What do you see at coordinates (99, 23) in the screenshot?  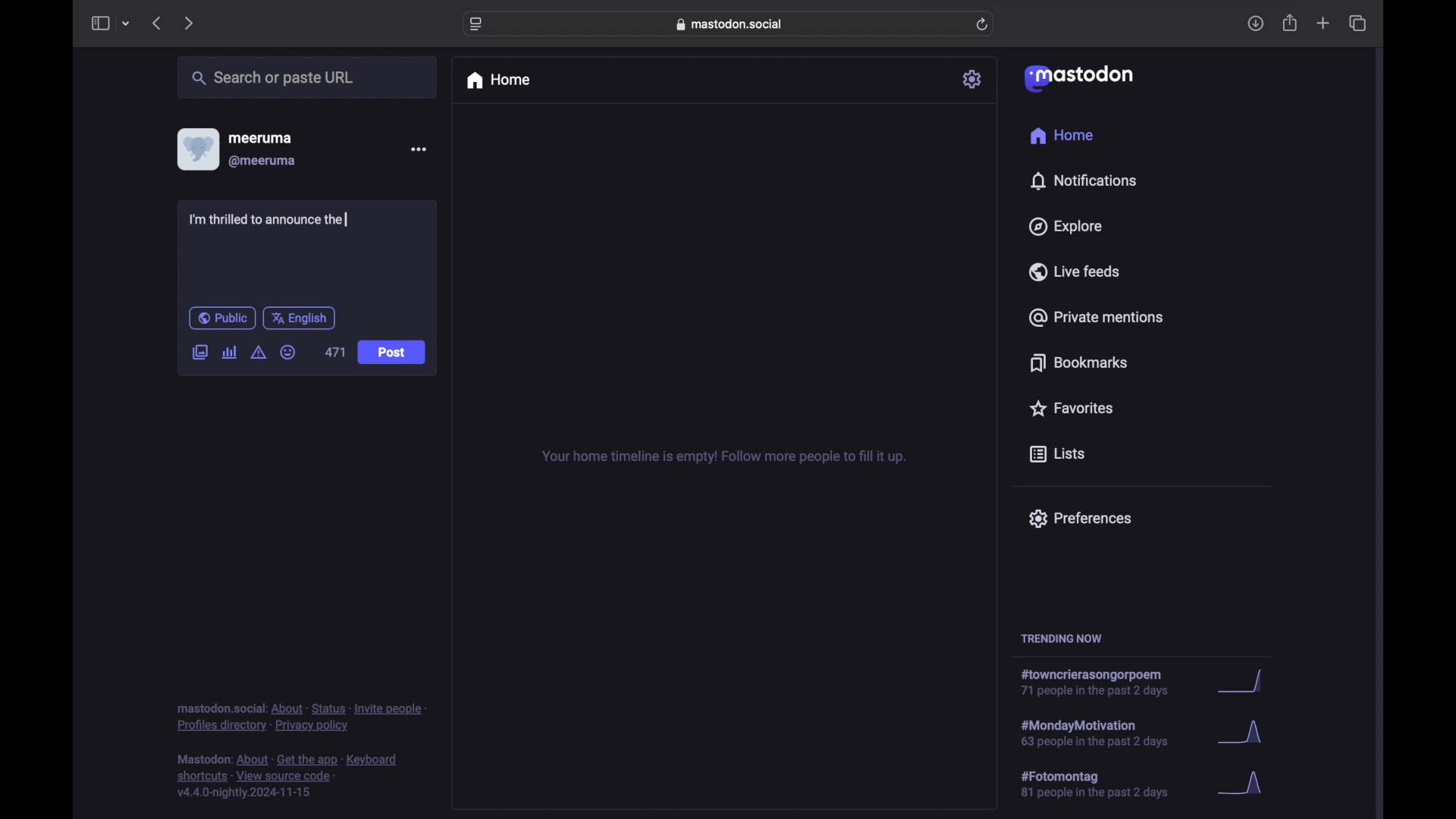 I see `side bar` at bounding box center [99, 23].